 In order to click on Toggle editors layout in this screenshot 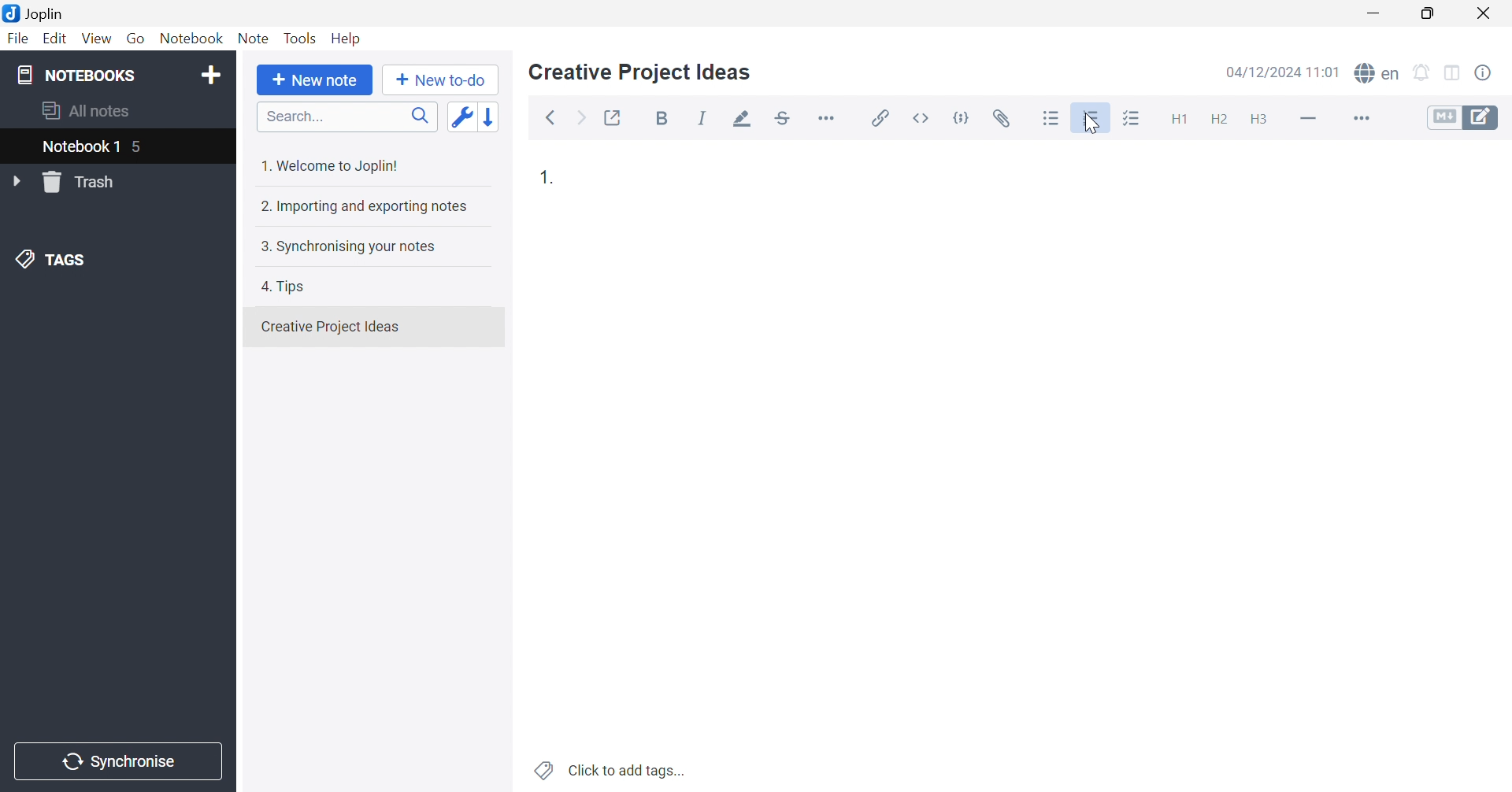, I will do `click(1452, 71)`.